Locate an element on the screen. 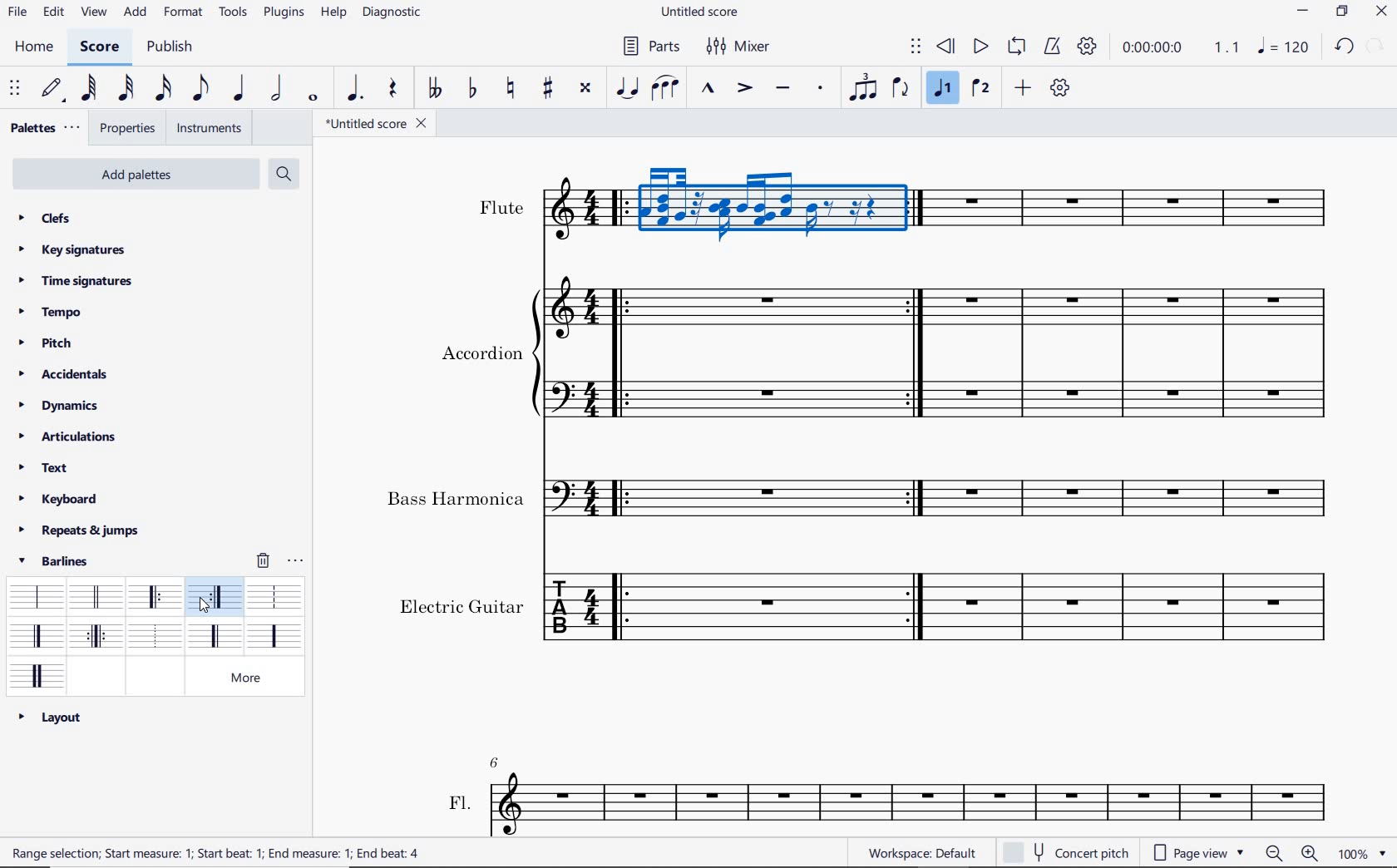 The width and height of the screenshot is (1397, 868). marcato is located at coordinates (707, 89).